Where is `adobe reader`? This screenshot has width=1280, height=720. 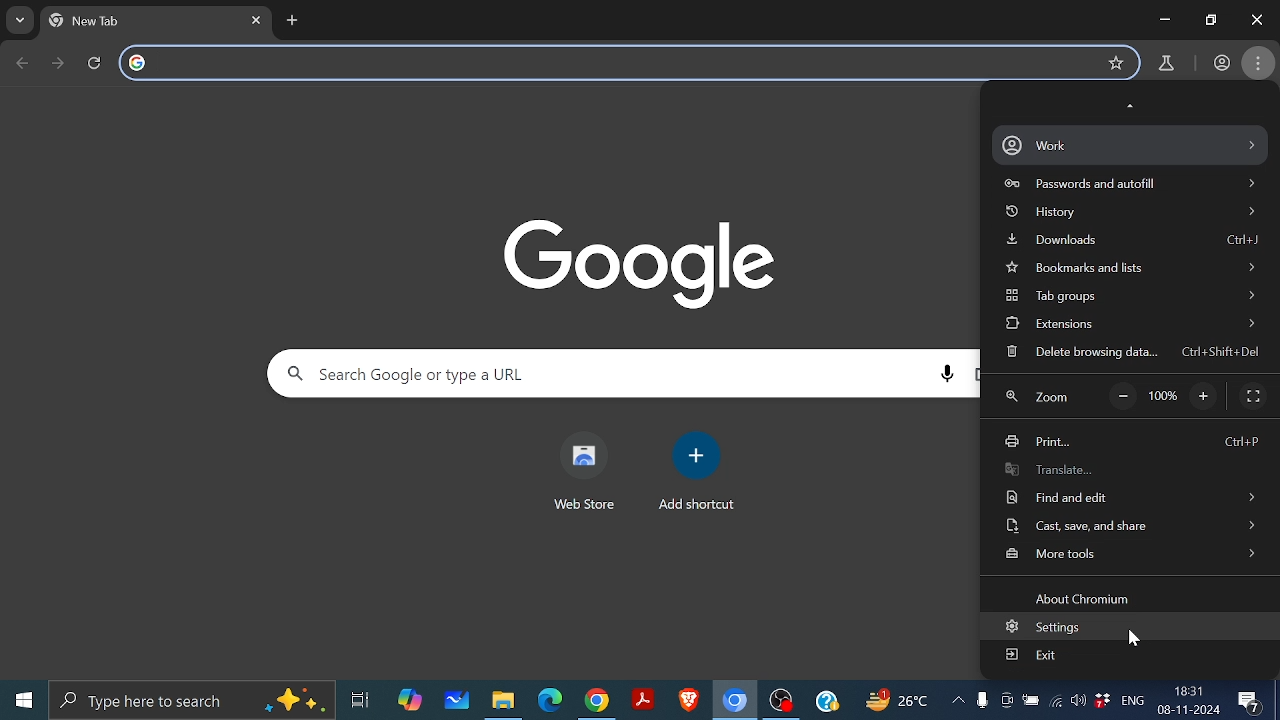
adobe reader is located at coordinates (643, 701).